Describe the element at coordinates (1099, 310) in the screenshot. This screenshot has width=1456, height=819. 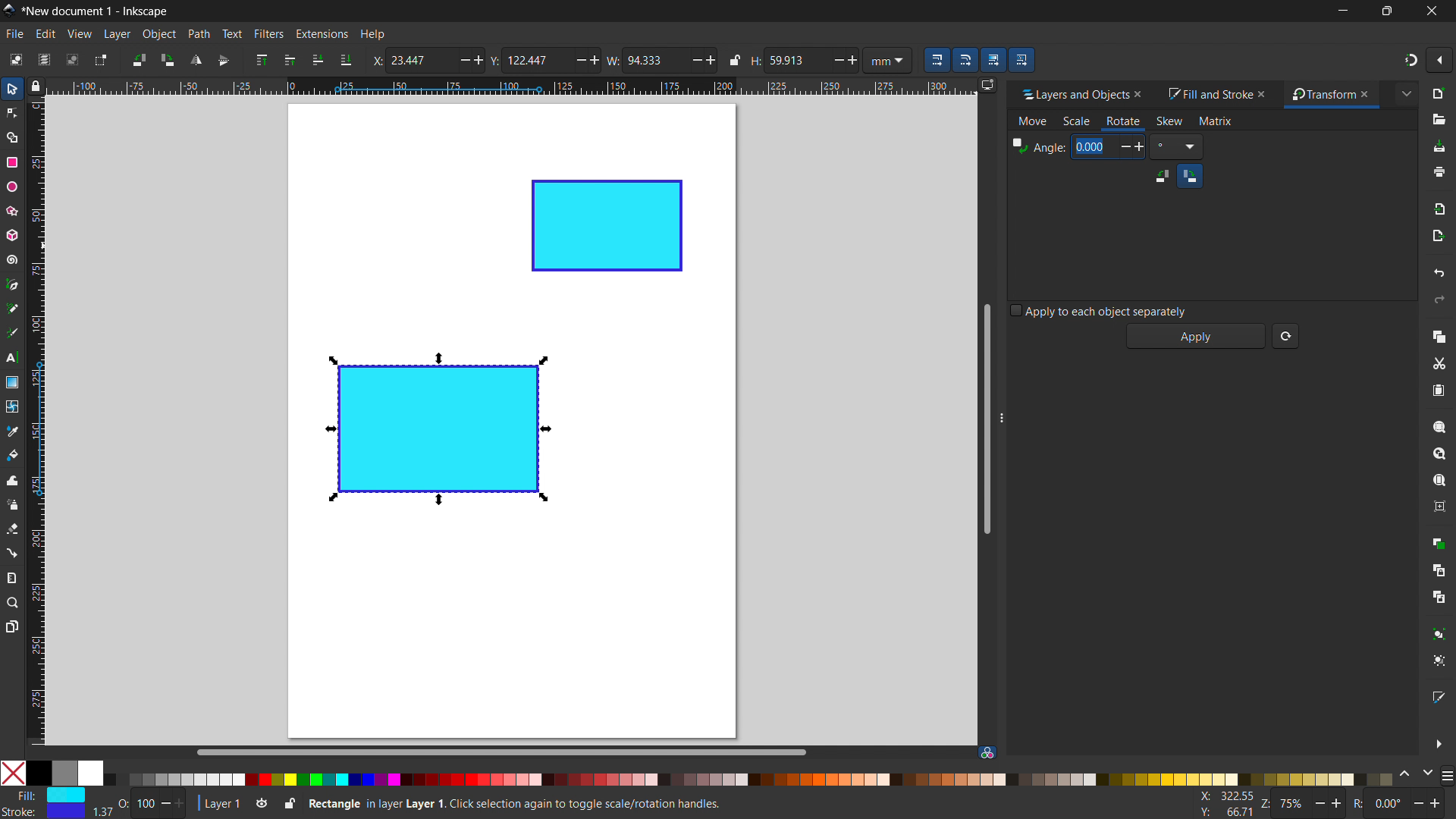
I see `apply to each object separately` at that location.